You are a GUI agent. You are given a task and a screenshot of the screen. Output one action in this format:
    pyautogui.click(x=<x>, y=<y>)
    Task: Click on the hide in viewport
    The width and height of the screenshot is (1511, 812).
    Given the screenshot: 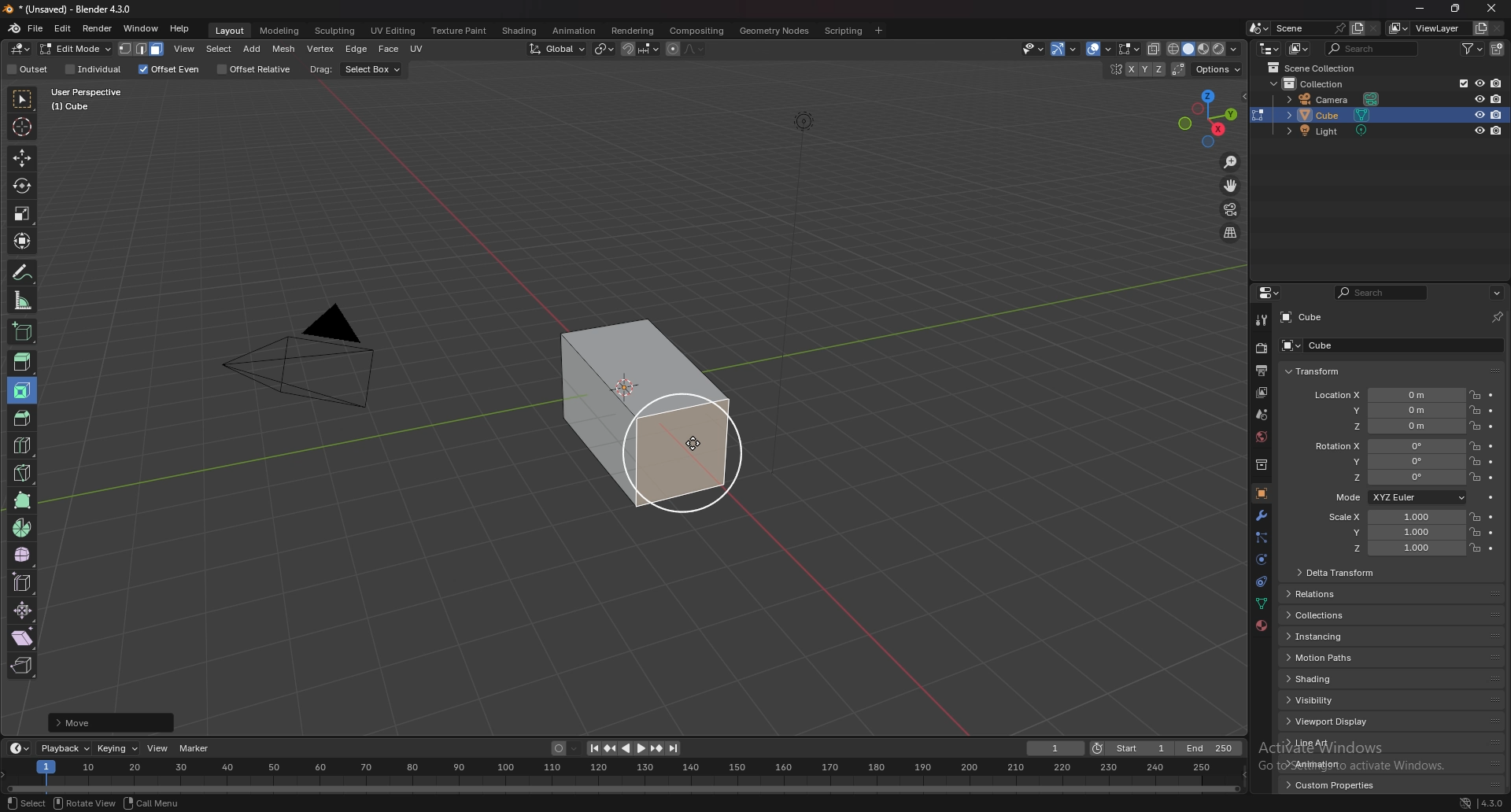 What is the action you would take?
    pyautogui.click(x=1479, y=131)
    